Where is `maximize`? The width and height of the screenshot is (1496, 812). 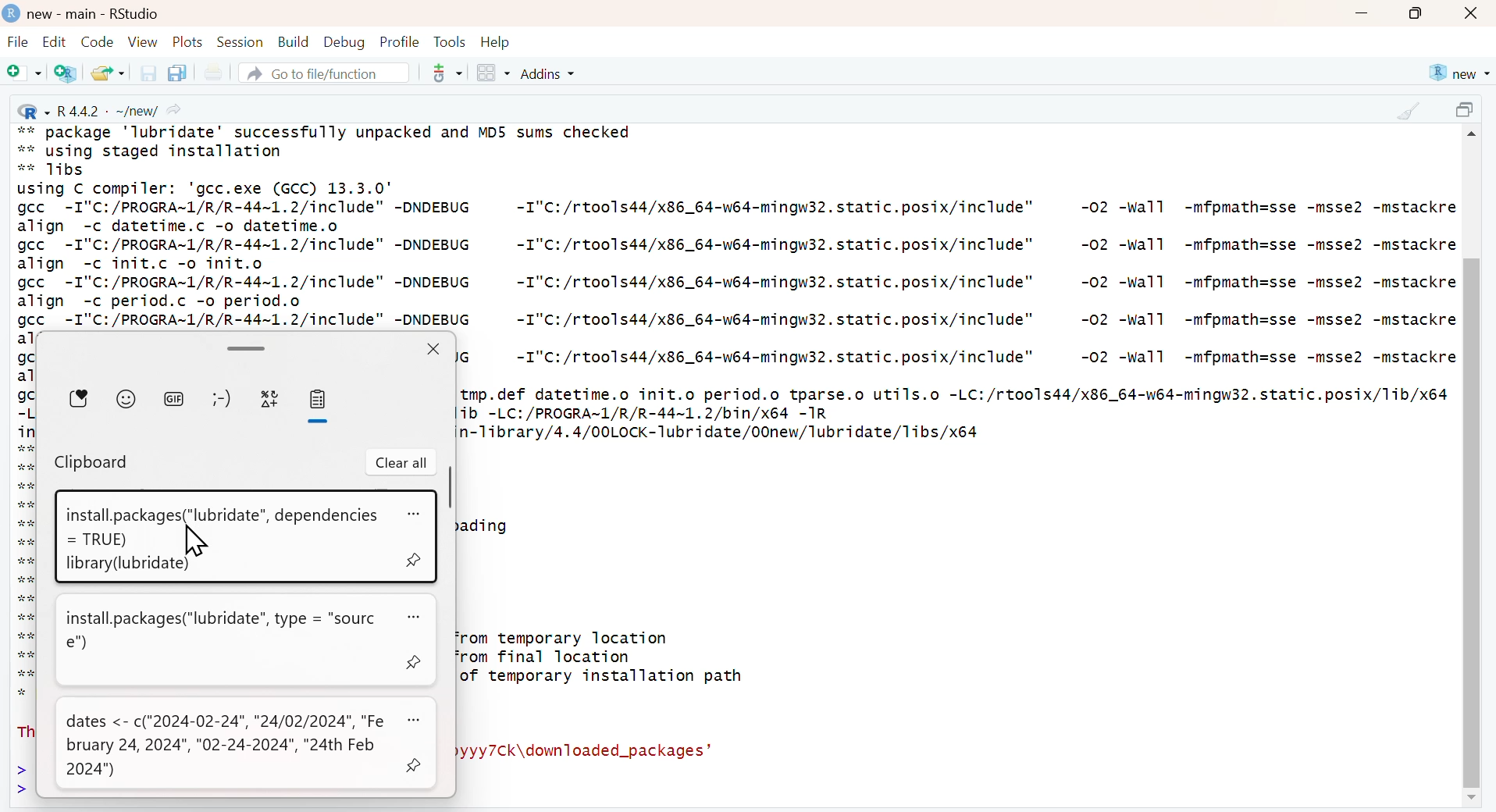 maximize is located at coordinates (1416, 13).